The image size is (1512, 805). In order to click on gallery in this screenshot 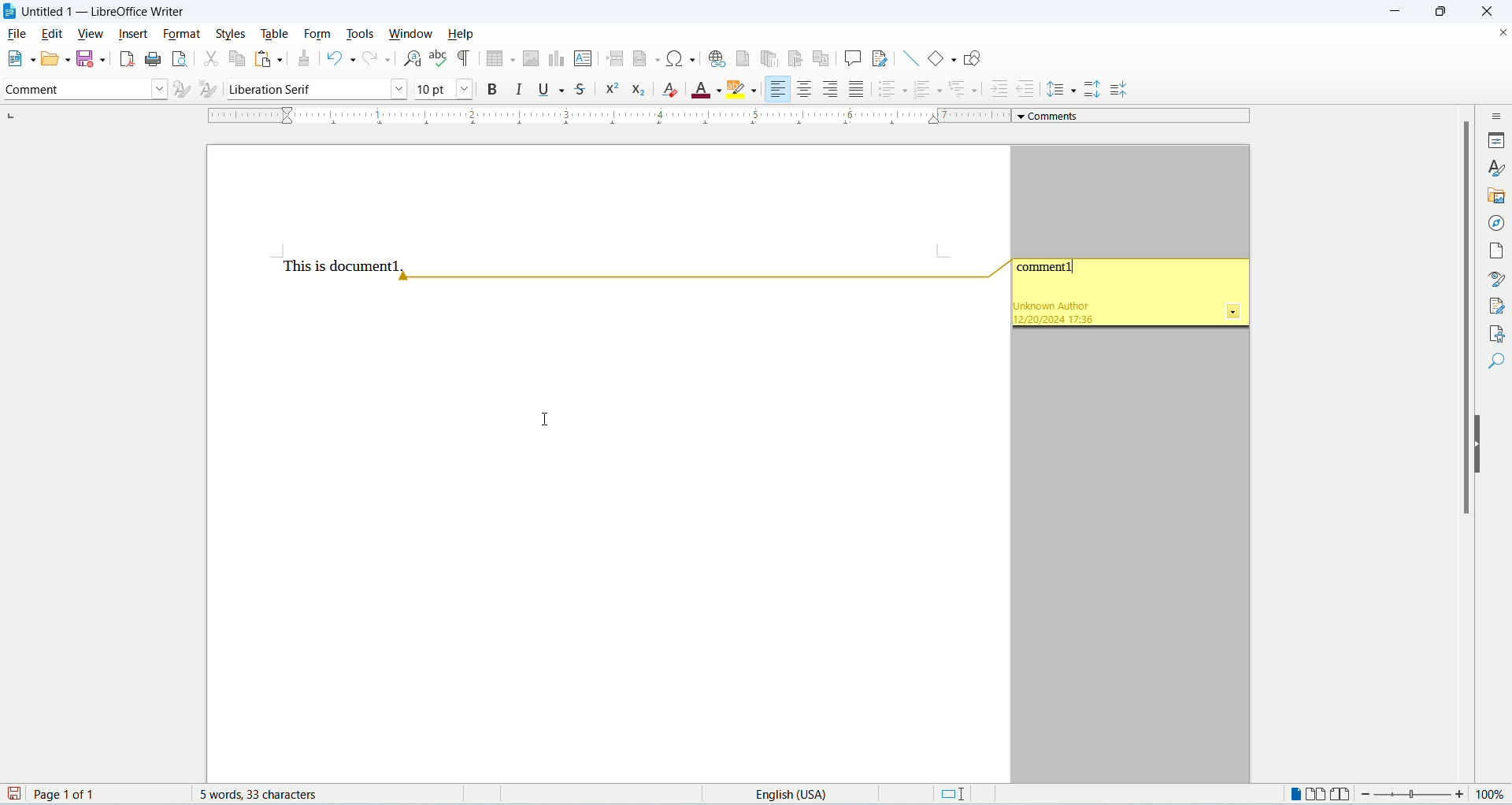, I will do `click(1495, 196)`.